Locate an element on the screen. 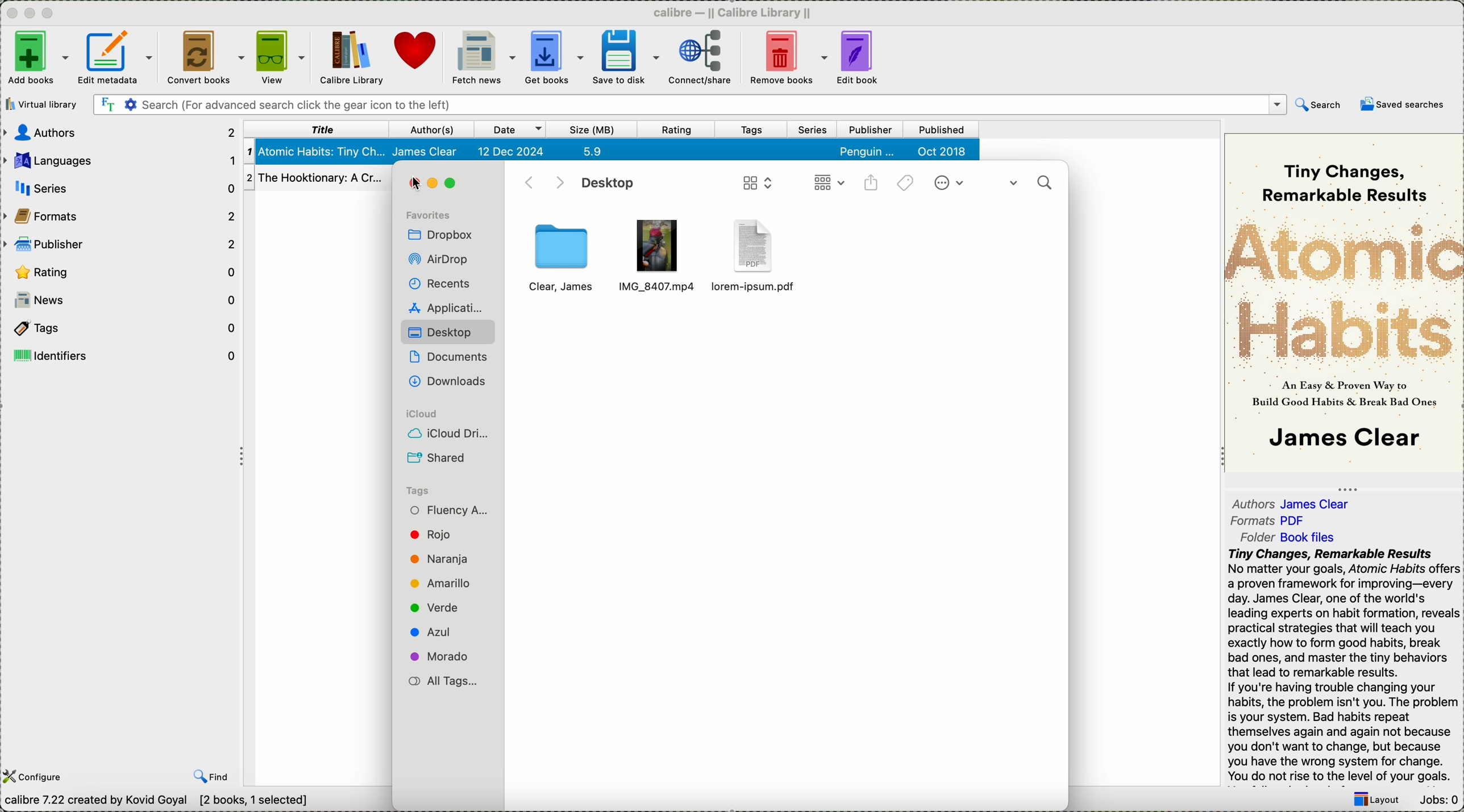  arrows is located at coordinates (540, 181).